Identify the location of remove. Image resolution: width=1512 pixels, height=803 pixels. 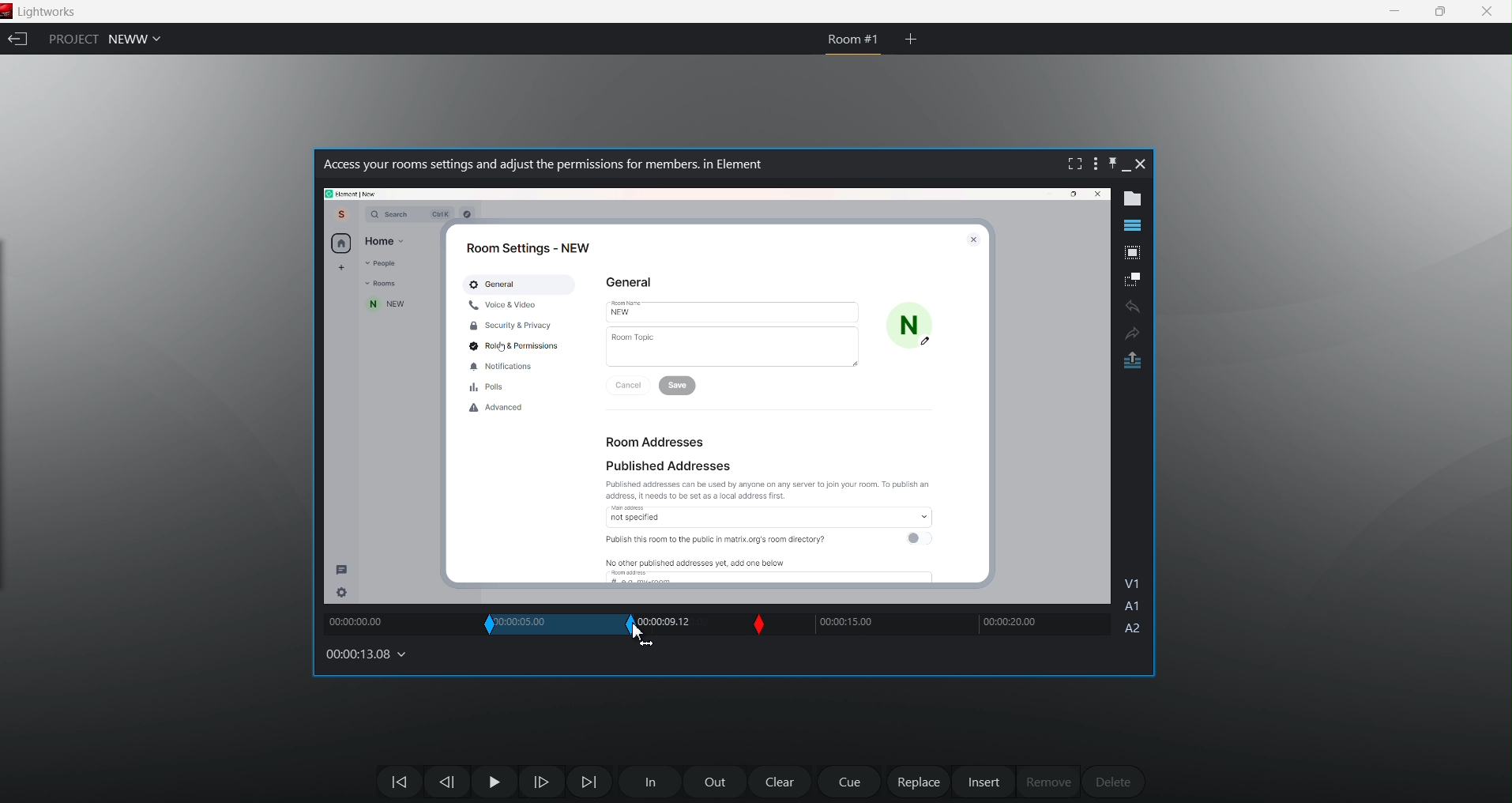
(1046, 780).